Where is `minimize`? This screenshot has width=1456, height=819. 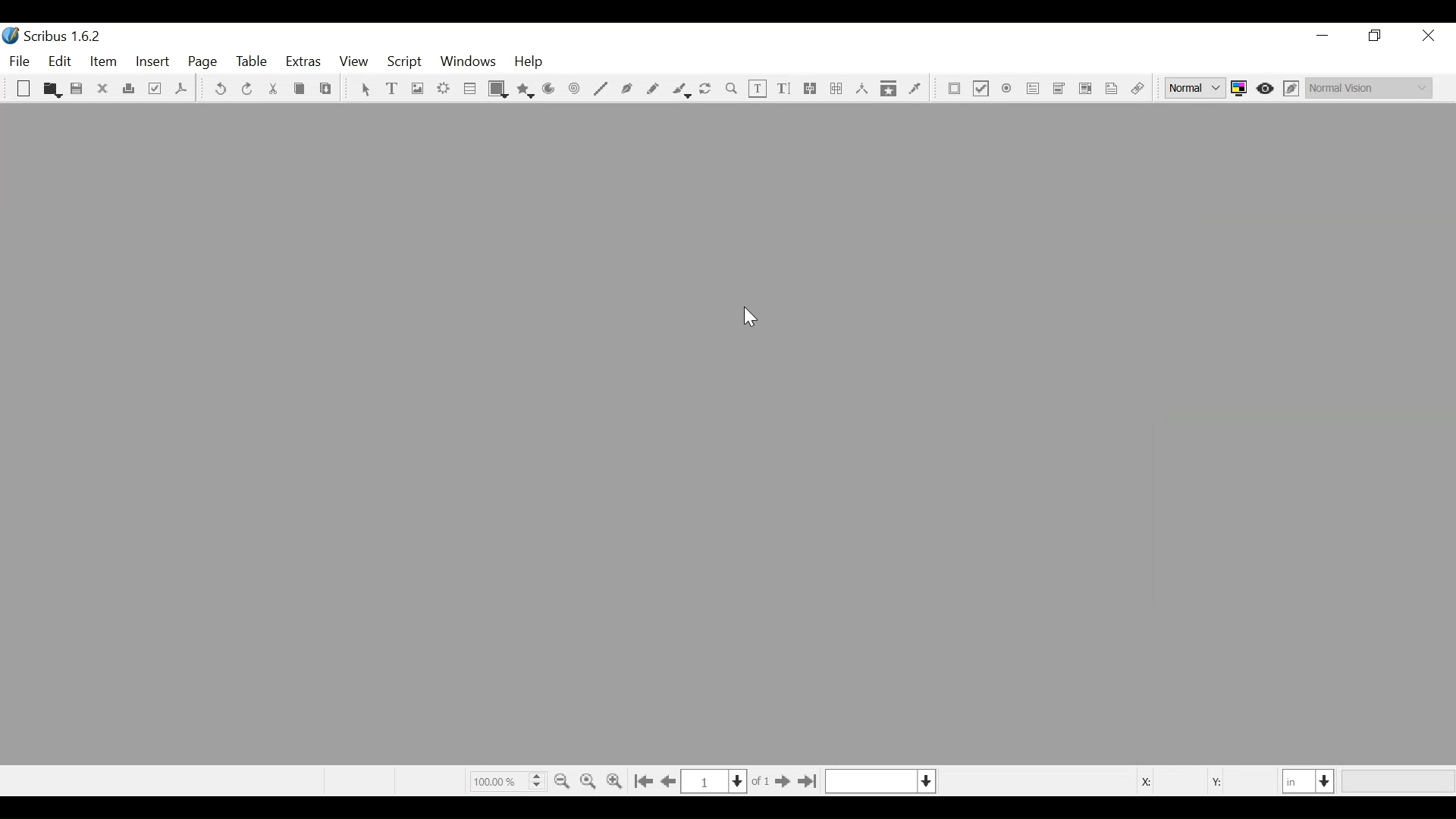 minimize is located at coordinates (1323, 36).